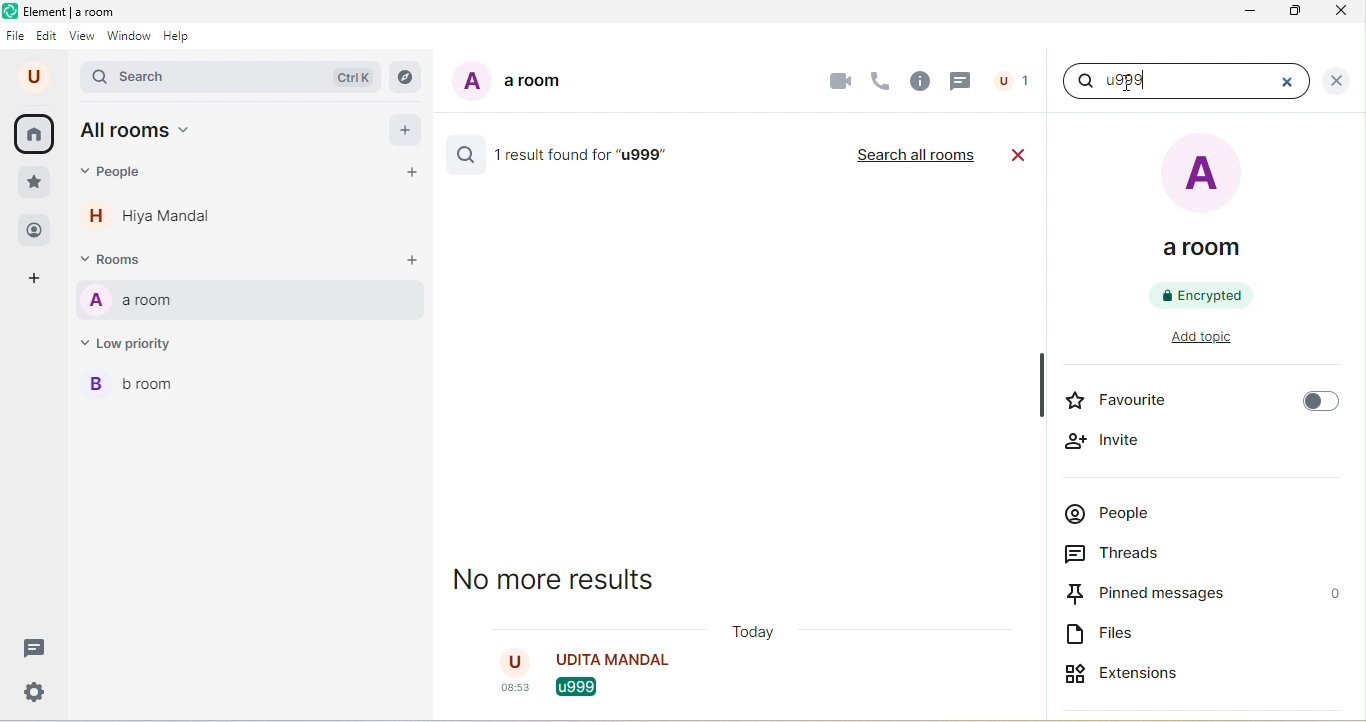 The image size is (1366, 722). What do you see at coordinates (1336, 80) in the screenshot?
I see `close` at bounding box center [1336, 80].